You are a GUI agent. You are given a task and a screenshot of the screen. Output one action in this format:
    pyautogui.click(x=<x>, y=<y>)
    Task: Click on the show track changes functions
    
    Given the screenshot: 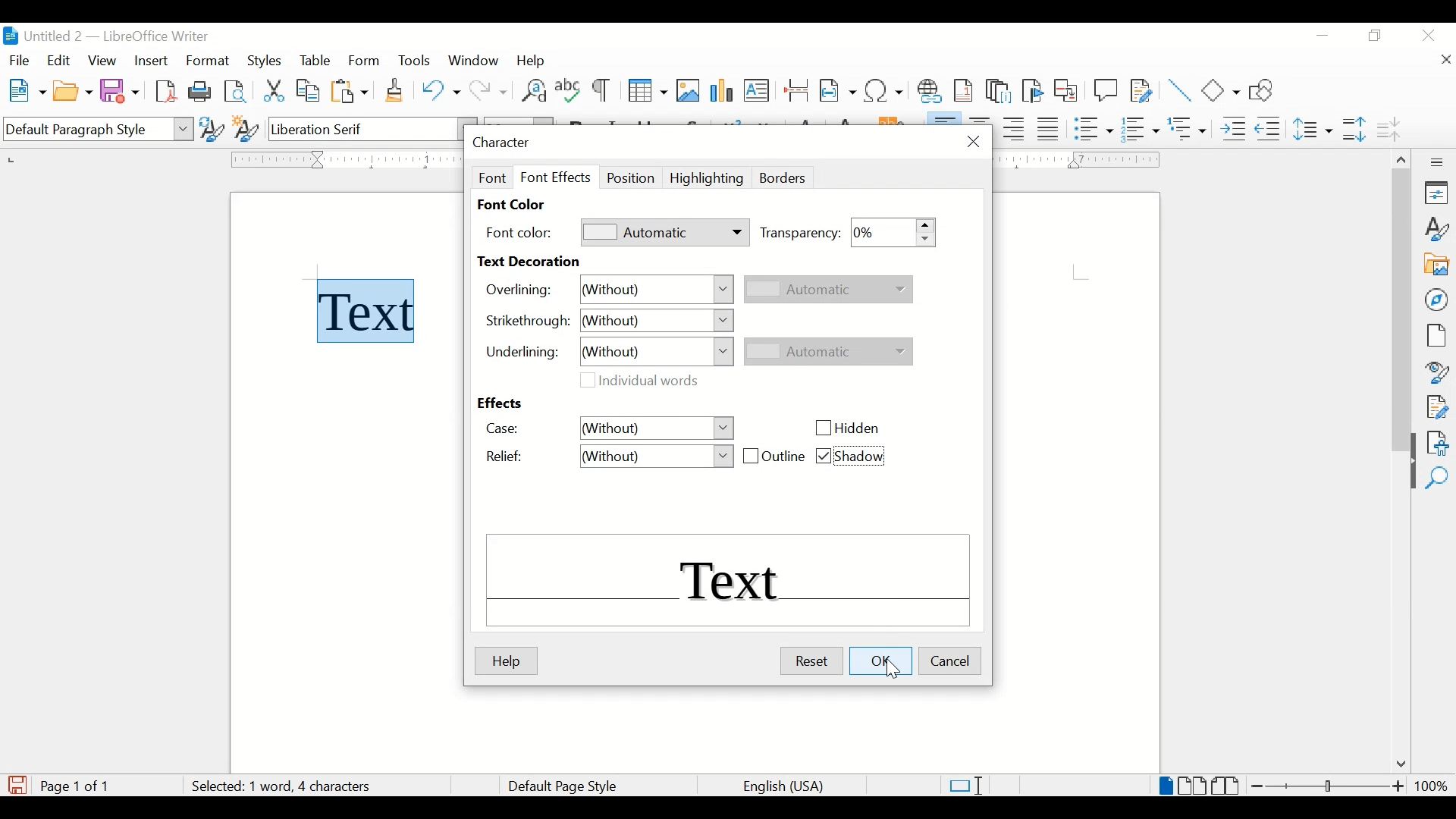 What is the action you would take?
    pyautogui.click(x=1141, y=89)
    